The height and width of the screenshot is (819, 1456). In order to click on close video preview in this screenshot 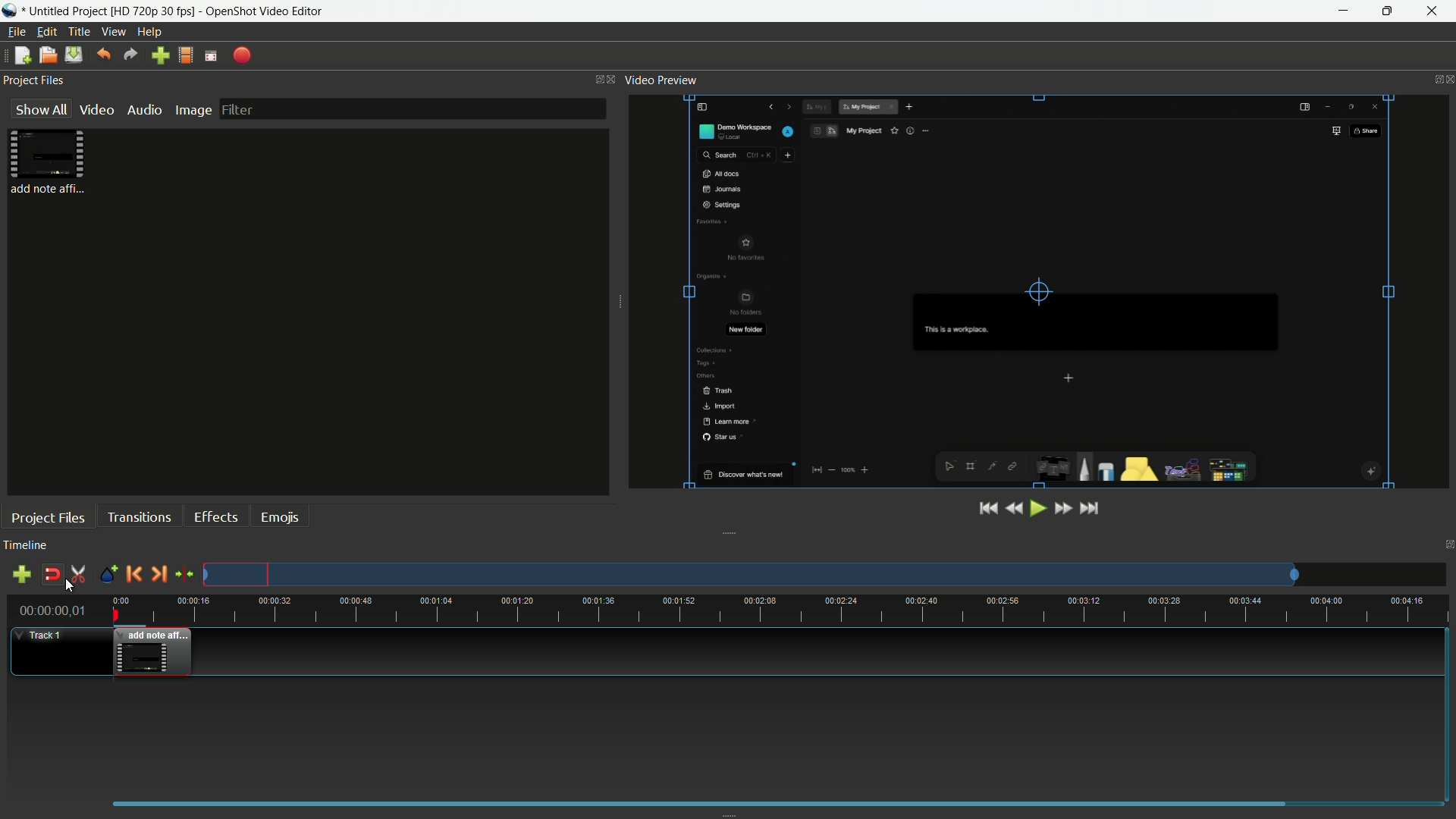, I will do `click(1447, 80)`.